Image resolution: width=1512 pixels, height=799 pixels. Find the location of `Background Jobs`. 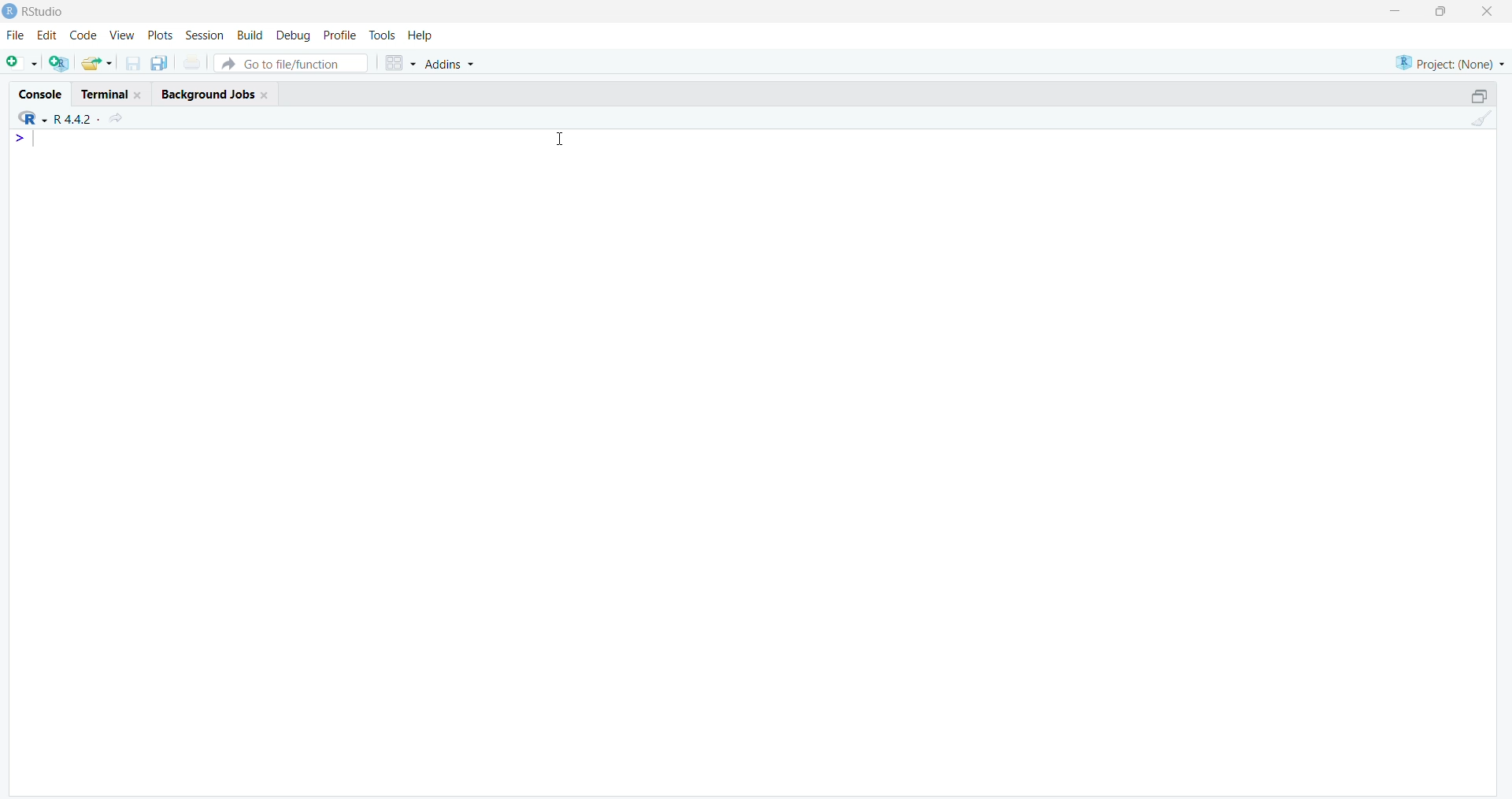

Background Jobs is located at coordinates (220, 92).